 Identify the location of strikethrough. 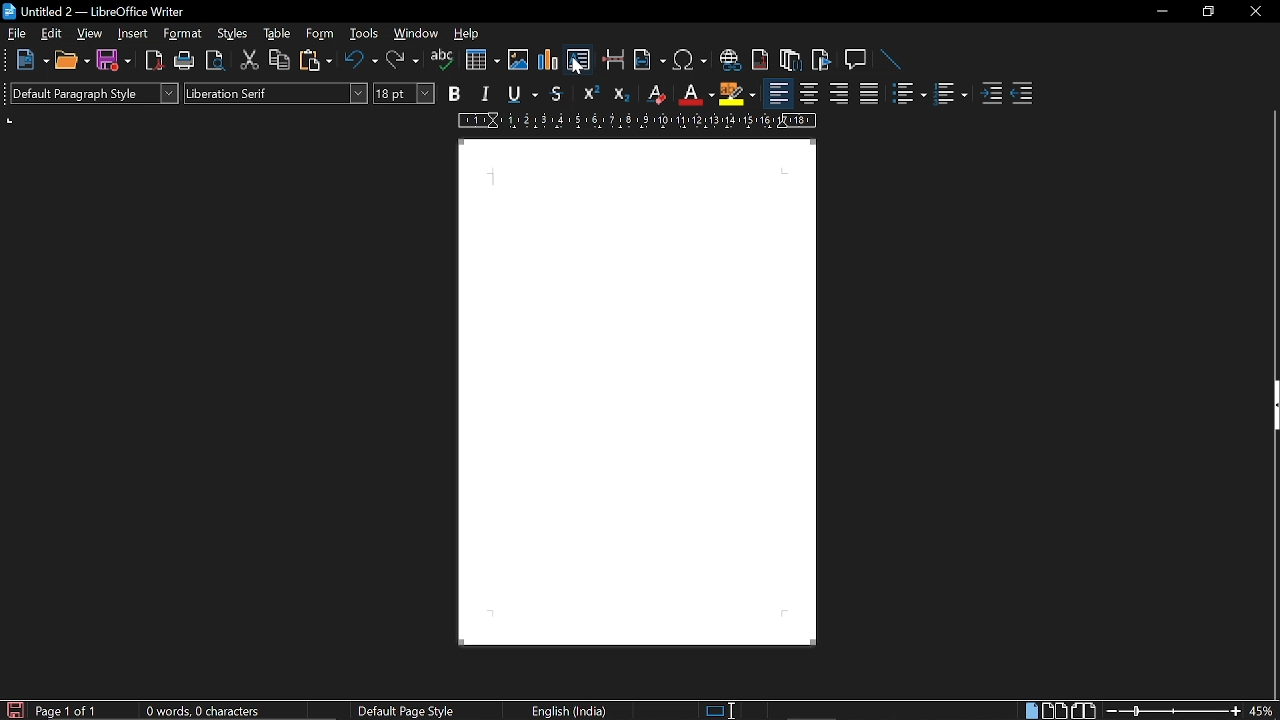
(558, 94).